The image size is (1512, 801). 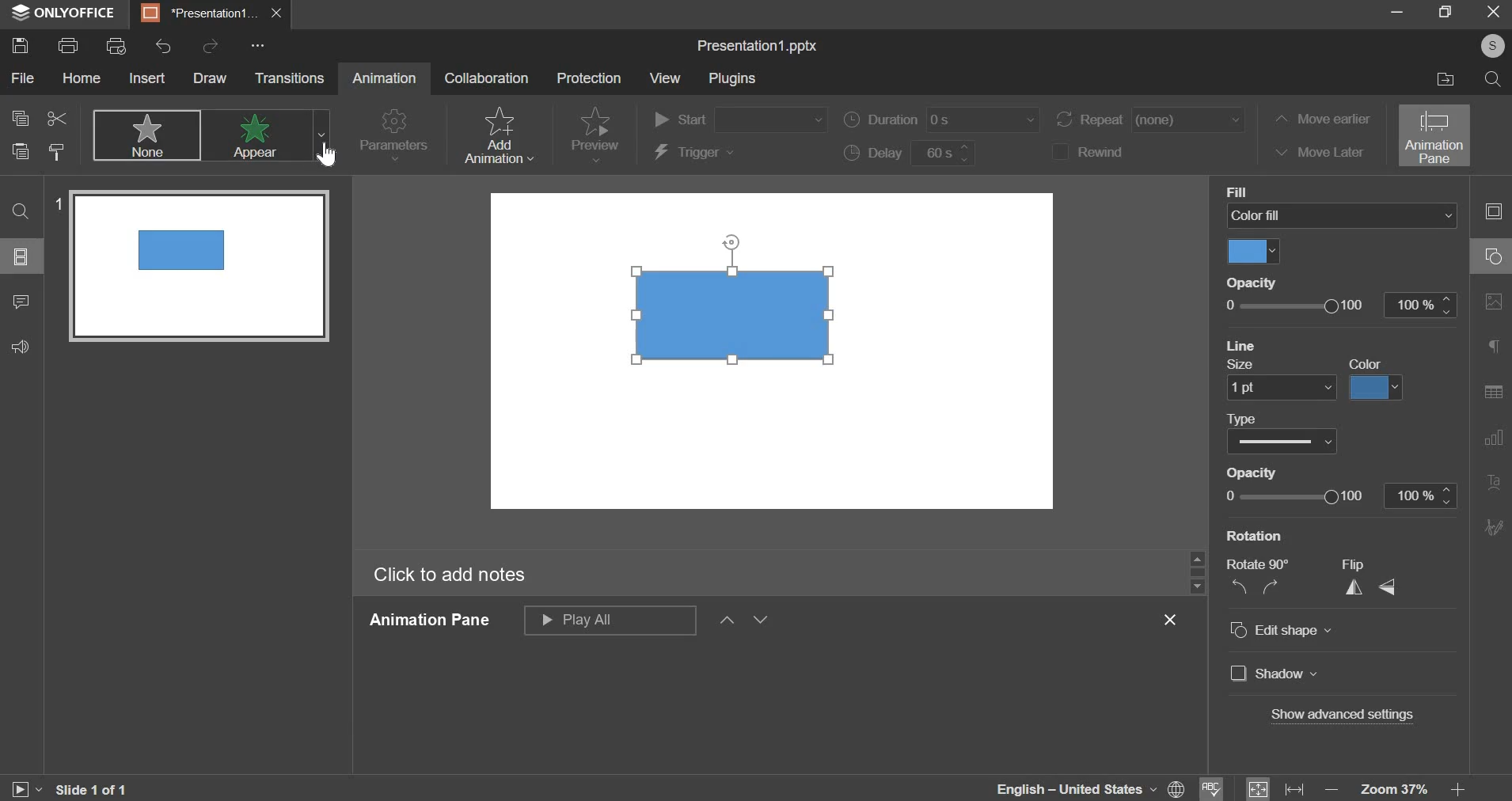 What do you see at coordinates (502, 135) in the screenshot?
I see `add animation` at bounding box center [502, 135].